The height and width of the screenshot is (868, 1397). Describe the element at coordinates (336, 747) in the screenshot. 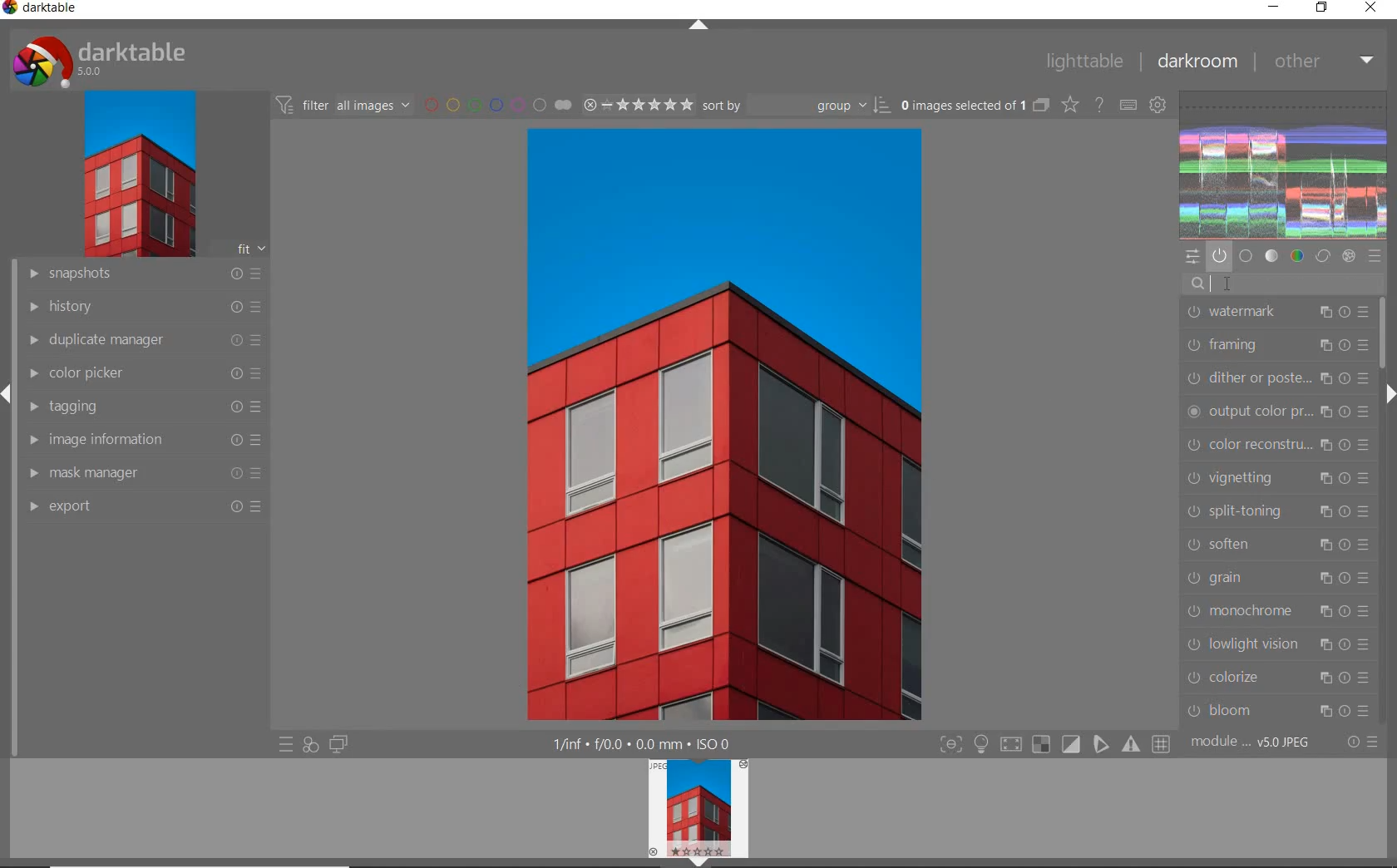

I see `display a second darkroom image window` at that location.